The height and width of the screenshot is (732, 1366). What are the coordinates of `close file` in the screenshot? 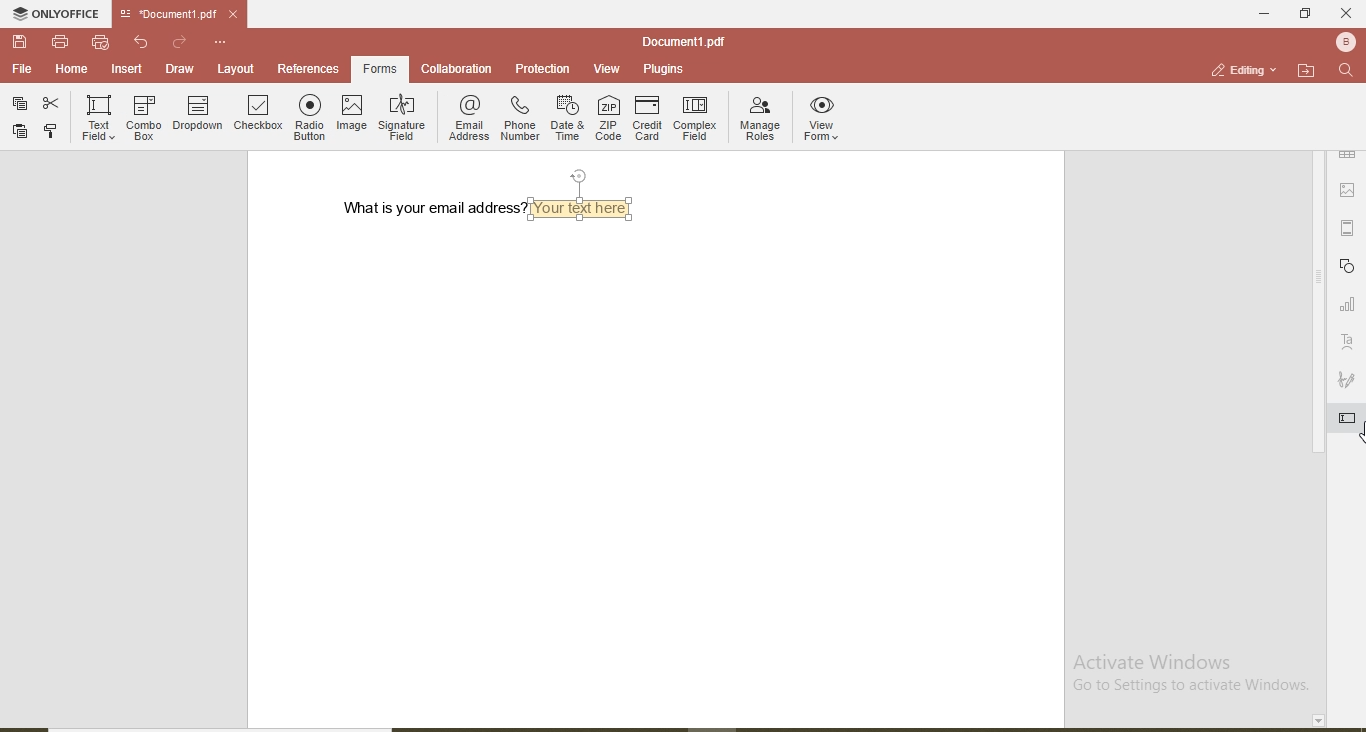 It's located at (240, 14).